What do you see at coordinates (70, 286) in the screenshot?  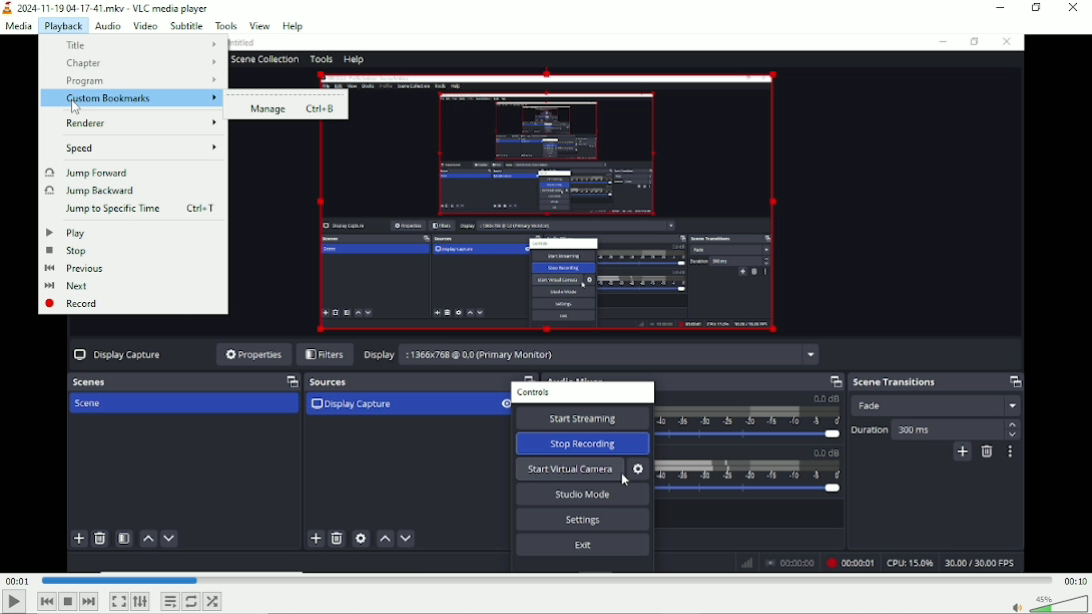 I see `next` at bounding box center [70, 286].